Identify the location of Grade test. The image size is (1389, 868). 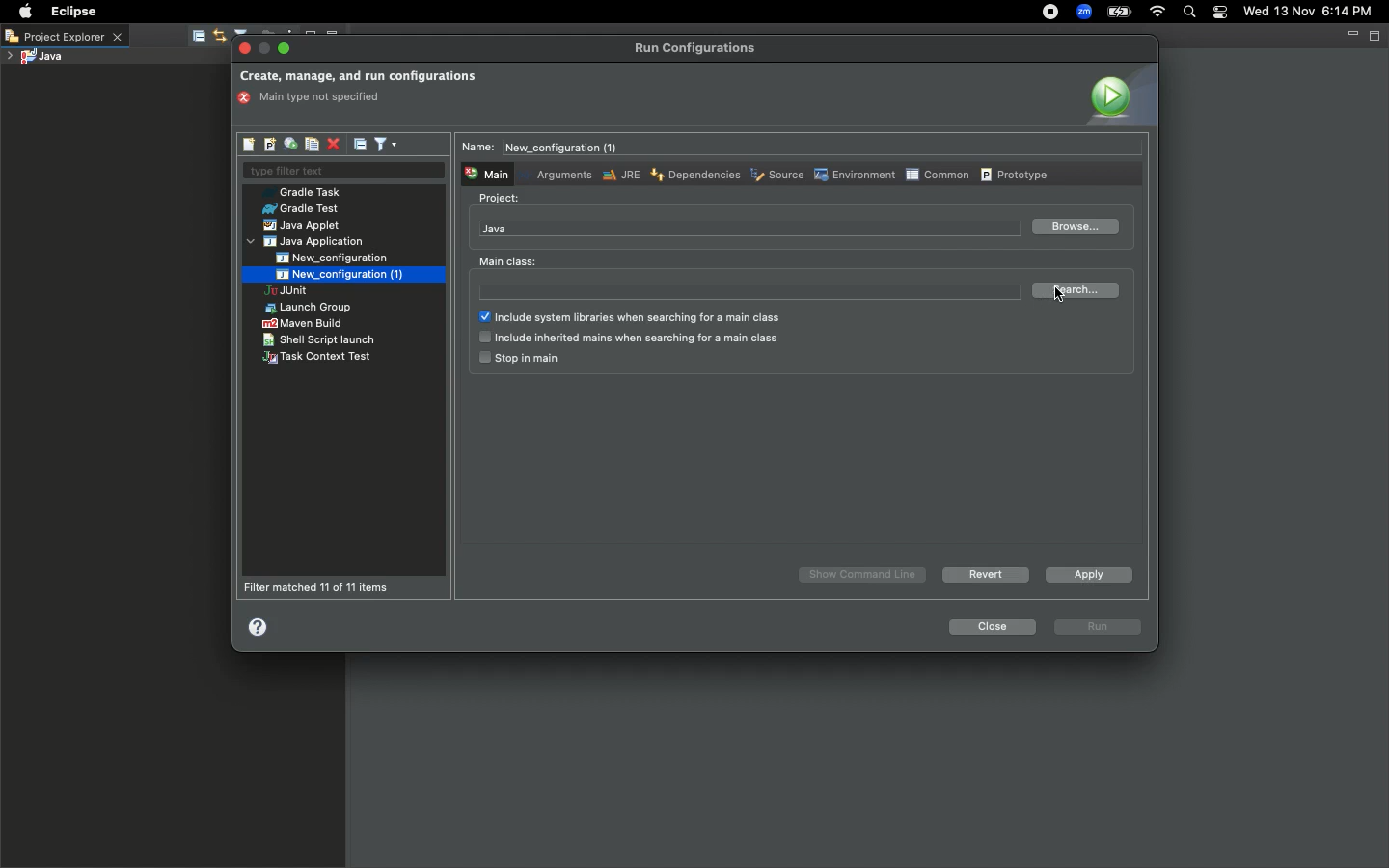
(299, 209).